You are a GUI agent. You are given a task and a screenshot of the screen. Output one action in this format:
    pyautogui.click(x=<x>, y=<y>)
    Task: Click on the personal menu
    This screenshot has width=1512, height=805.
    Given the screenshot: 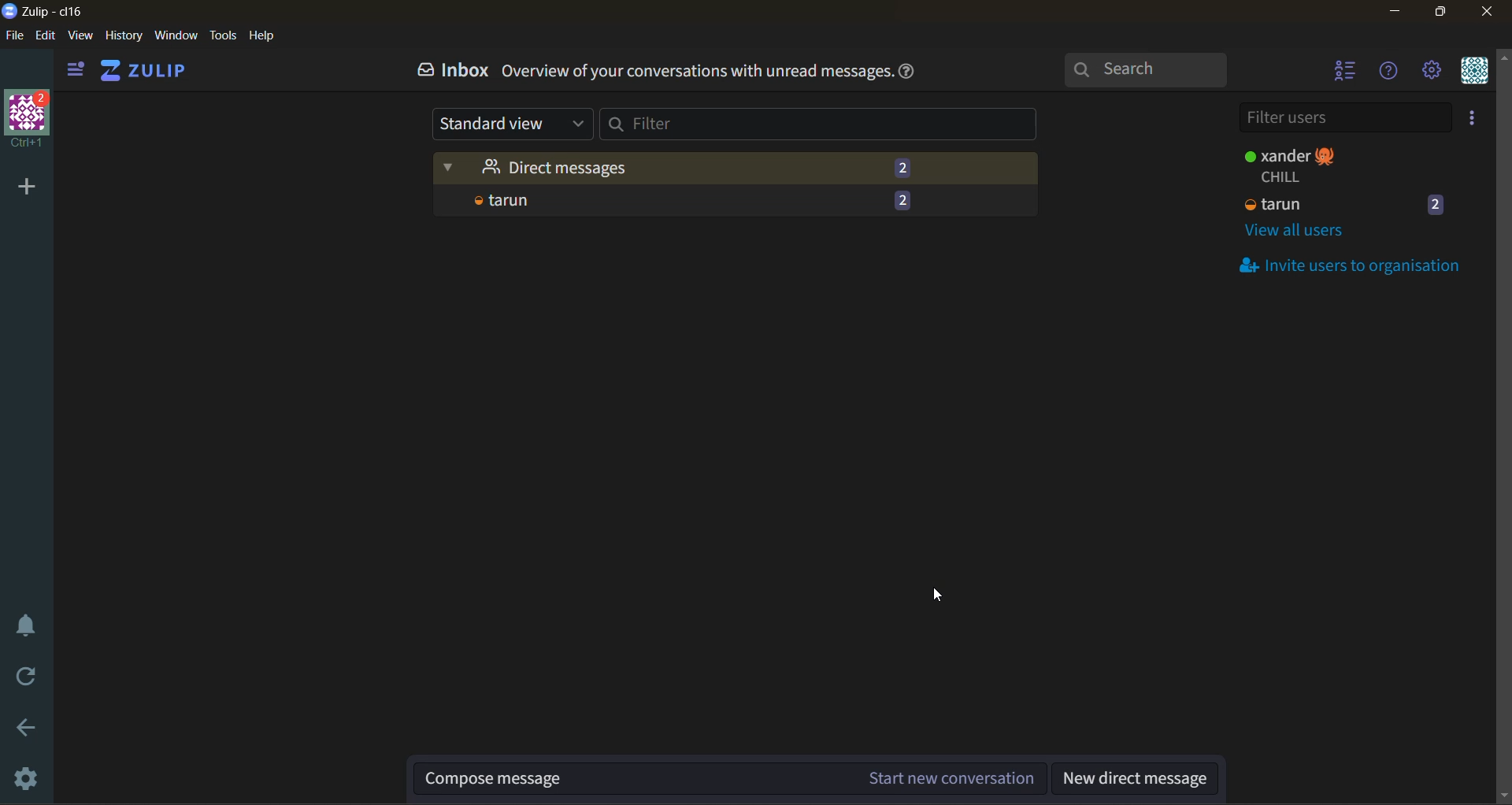 What is the action you would take?
    pyautogui.click(x=1474, y=73)
    